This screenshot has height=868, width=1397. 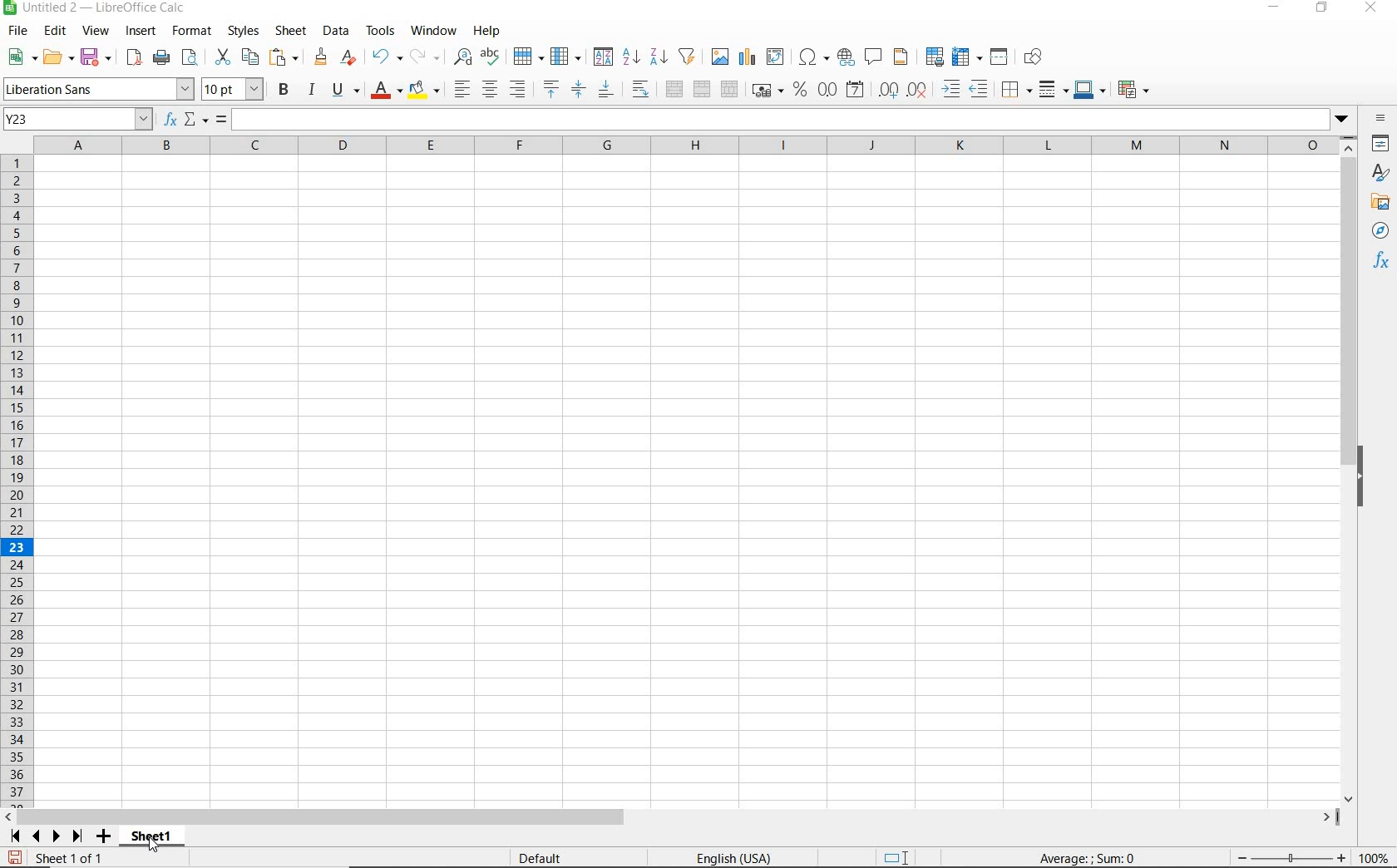 What do you see at coordinates (56, 57) in the screenshot?
I see `OPEN` at bounding box center [56, 57].